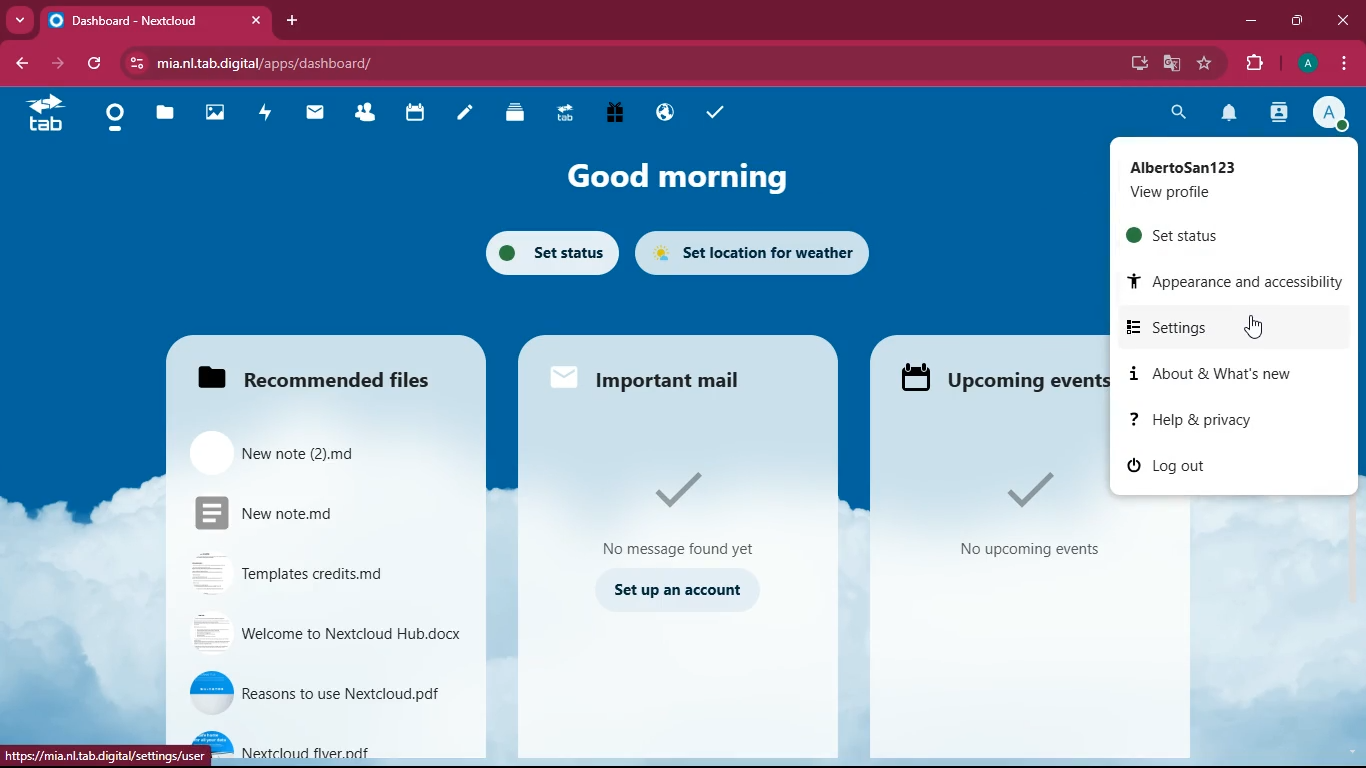 Image resolution: width=1366 pixels, height=768 pixels. What do you see at coordinates (319, 512) in the screenshot?
I see `New note.md` at bounding box center [319, 512].